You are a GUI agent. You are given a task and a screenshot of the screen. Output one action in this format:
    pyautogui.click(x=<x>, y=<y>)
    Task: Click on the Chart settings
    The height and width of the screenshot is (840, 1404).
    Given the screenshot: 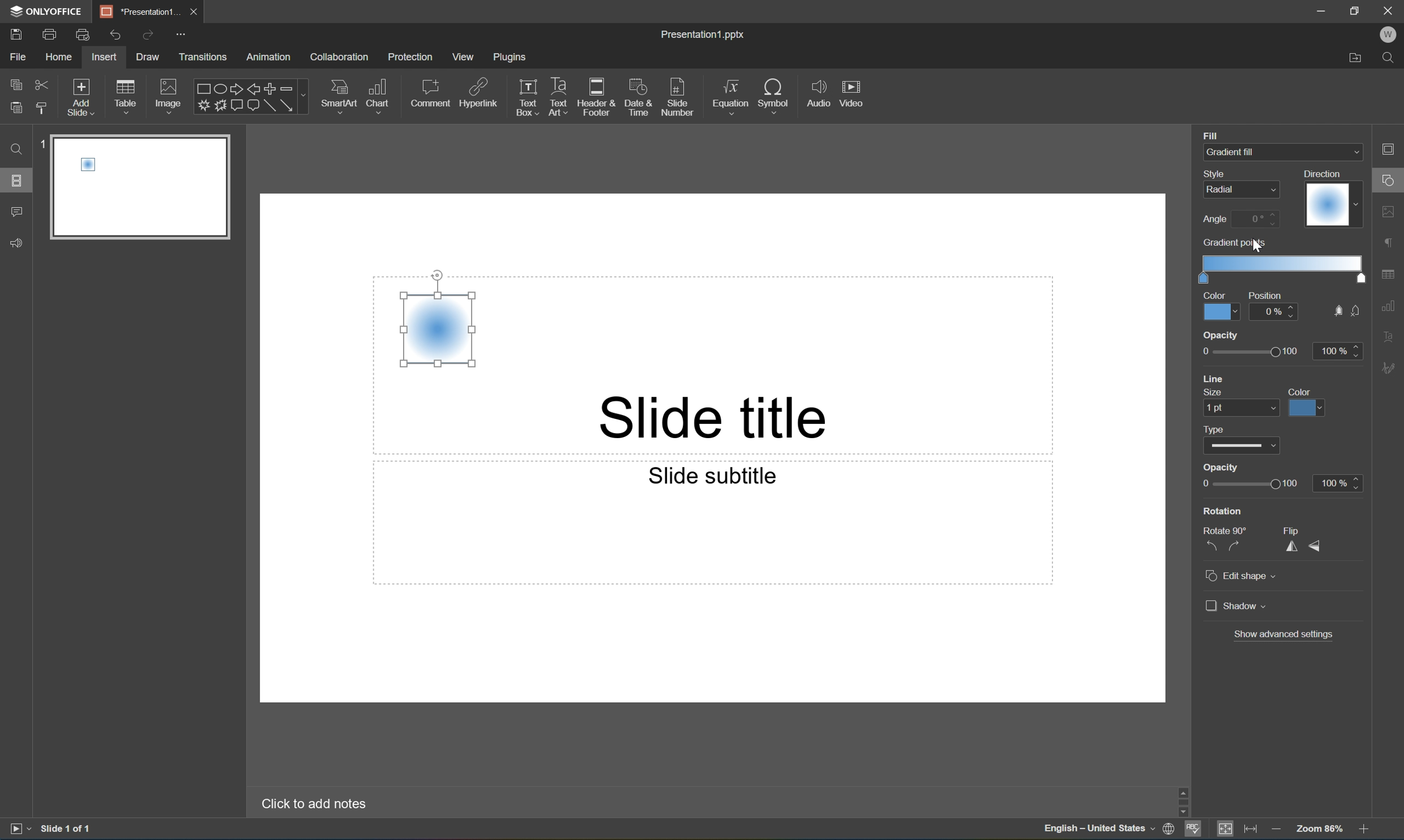 What is the action you would take?
    pyautogui.click(x=1391, y=306)
    